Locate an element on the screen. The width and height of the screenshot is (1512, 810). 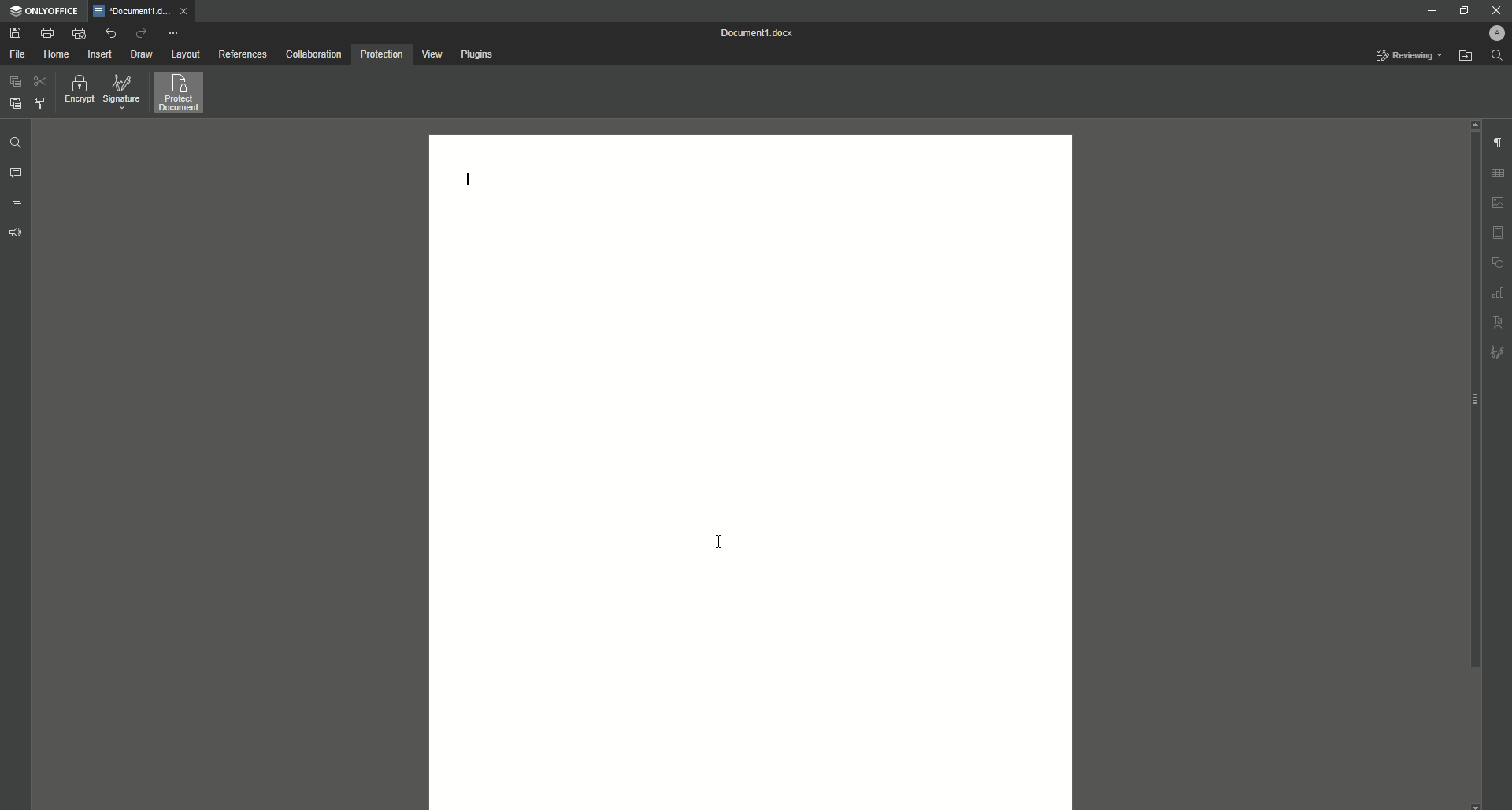
Cursor is located at coordinates (719, 539).